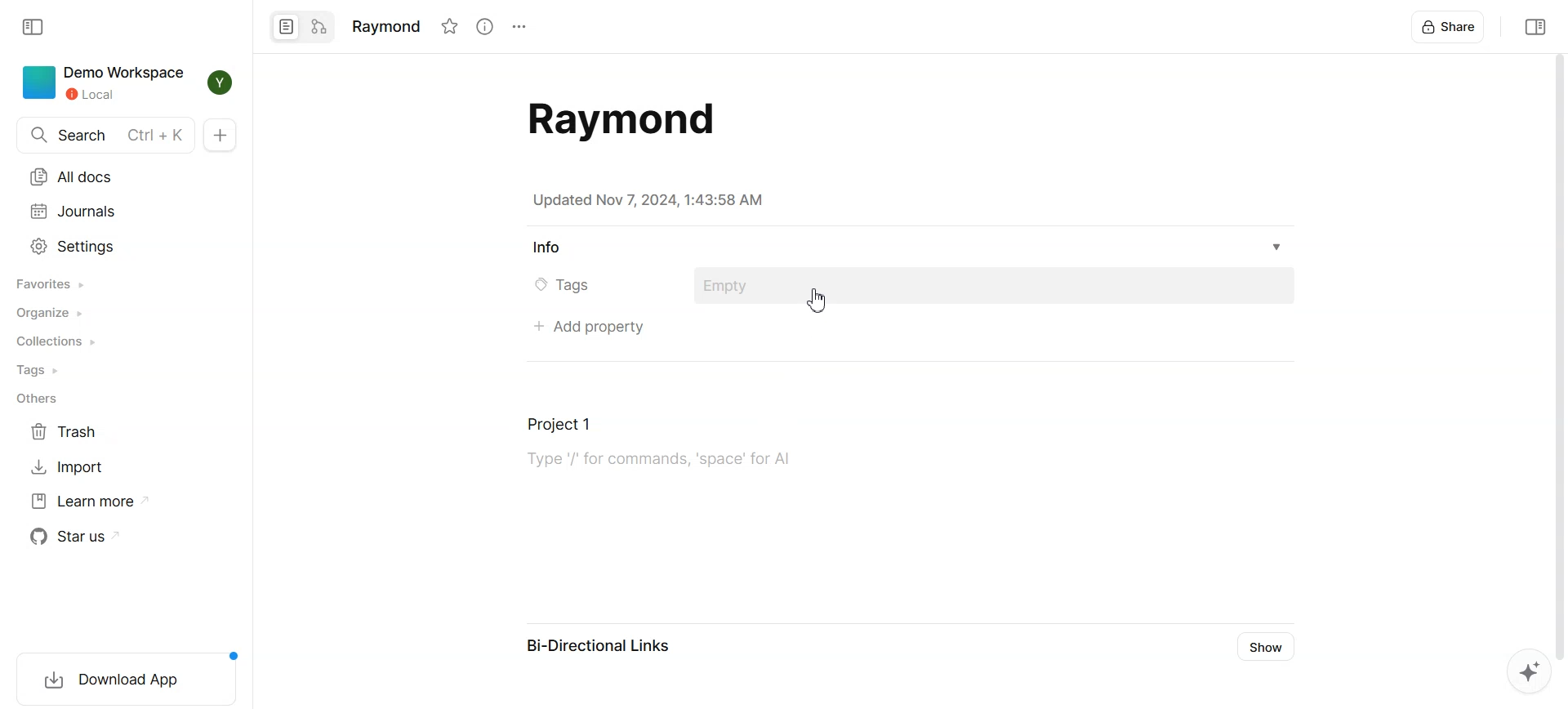  I want to click on Settings, so click(518, 27).